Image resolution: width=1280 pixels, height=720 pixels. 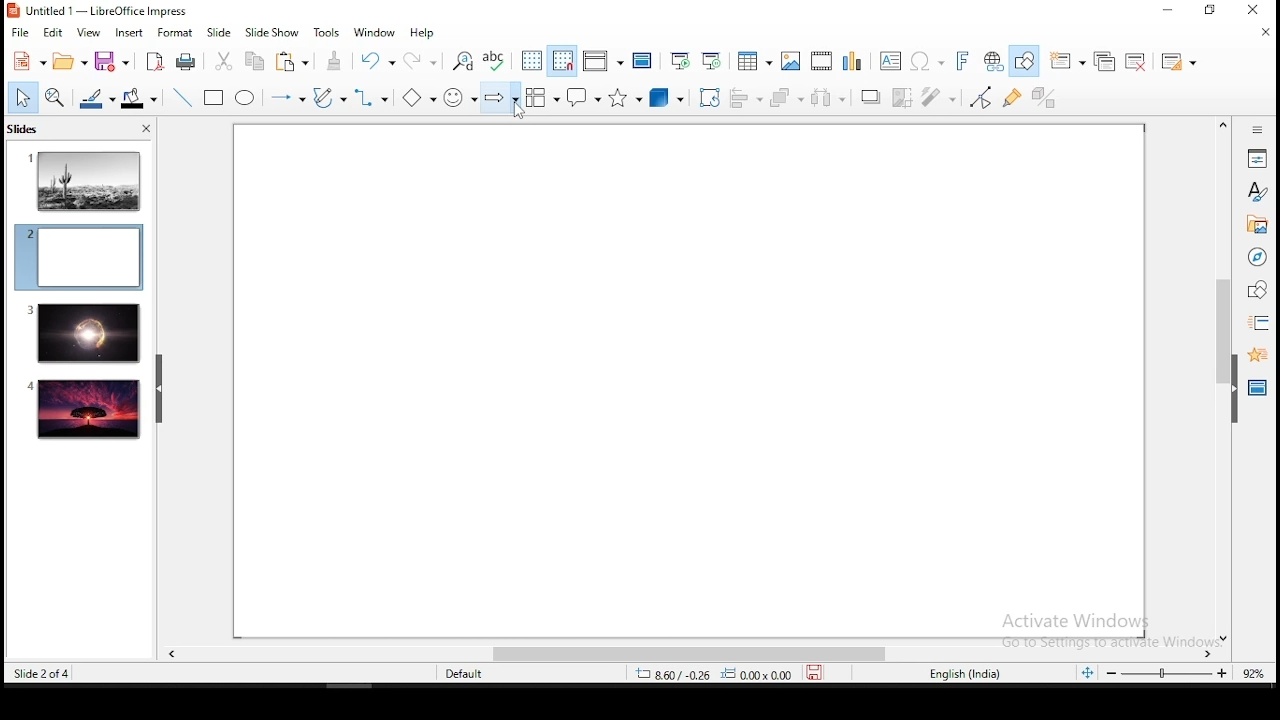 I want to click on callout shapes, so click(x=586, y=98).